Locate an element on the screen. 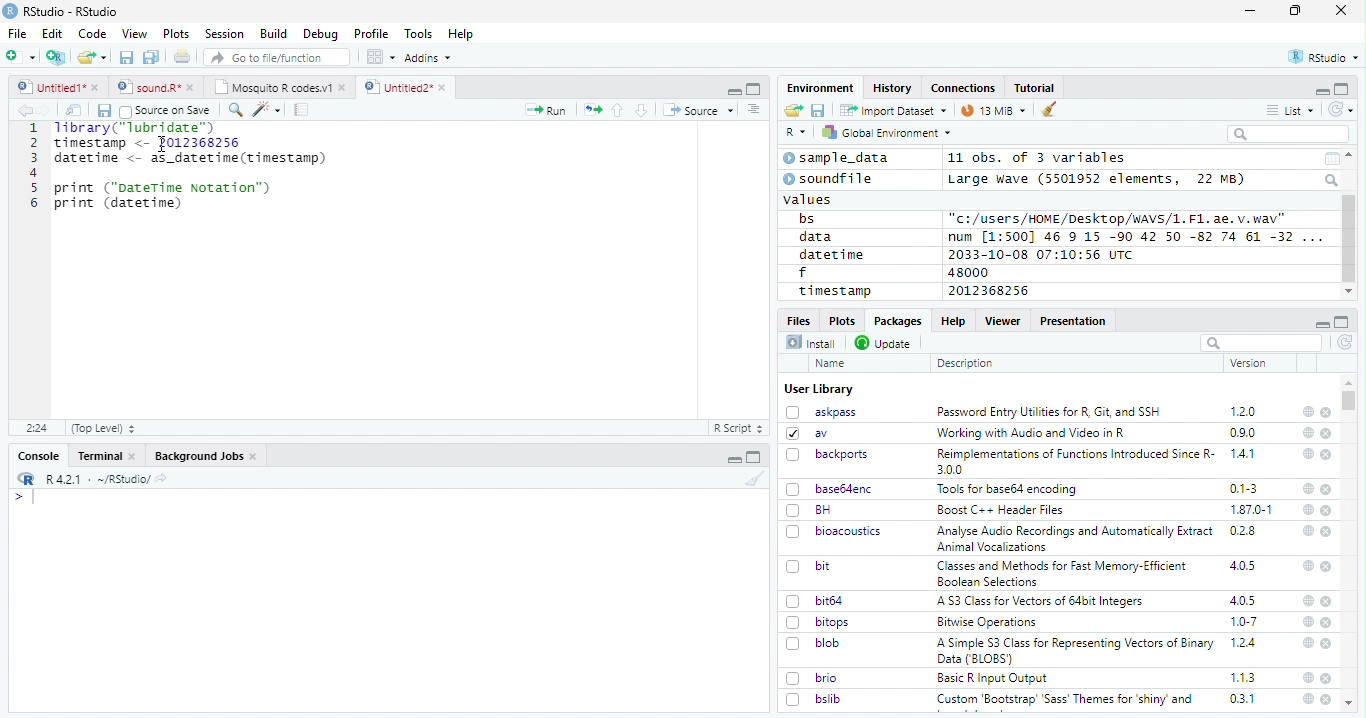  Session is located at coordinates (223, 34).